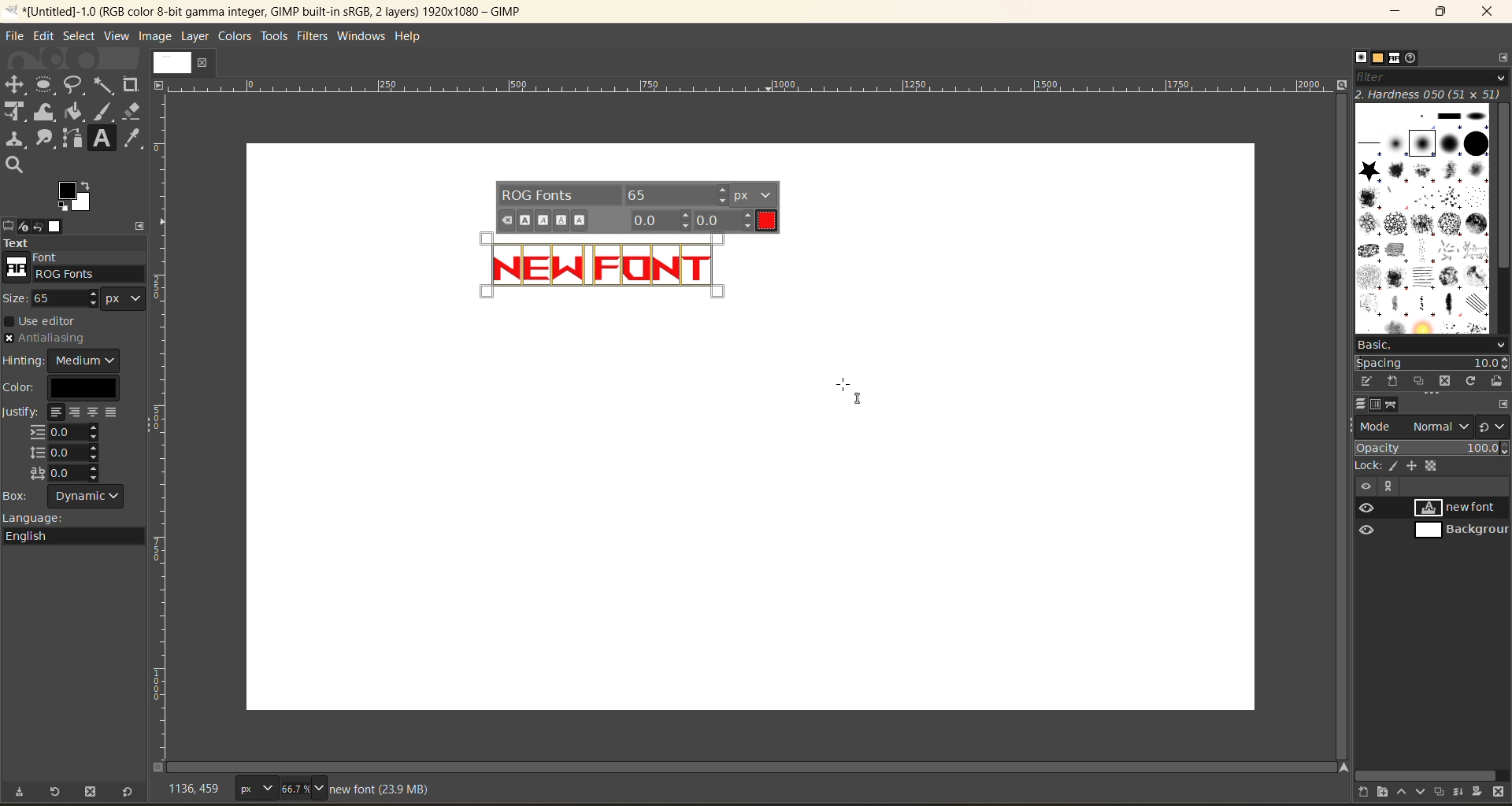 The height and width of the screenshot is (806, 1512). What do you see at coordinates (1503, 405) in the screenshot?
I see `configure` at bounding box center [1503, 405].